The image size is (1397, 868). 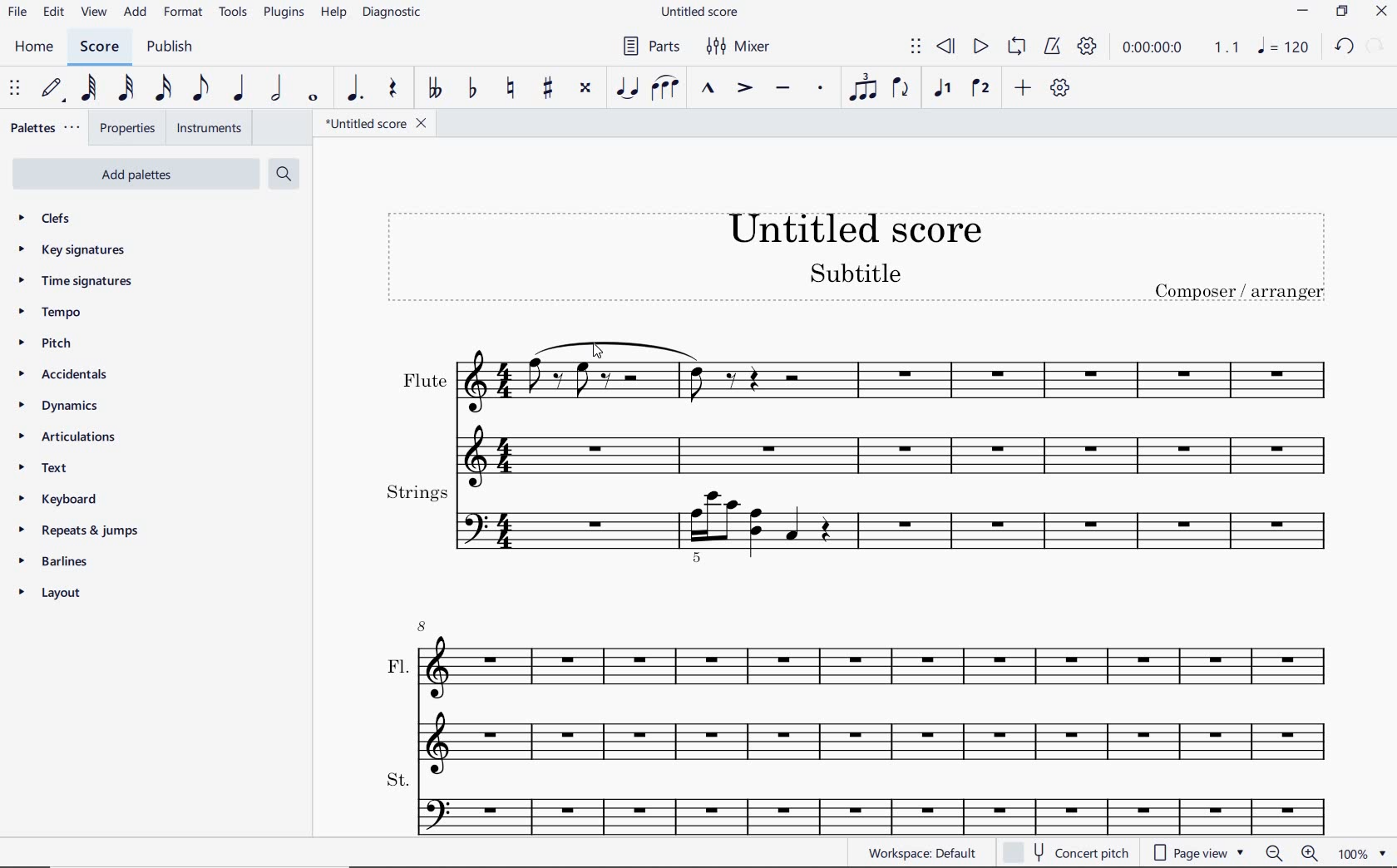 What do you see at coordinates (821, 89) in the screenshot?
I see `STACCATO` at bounding box center [821, 89].